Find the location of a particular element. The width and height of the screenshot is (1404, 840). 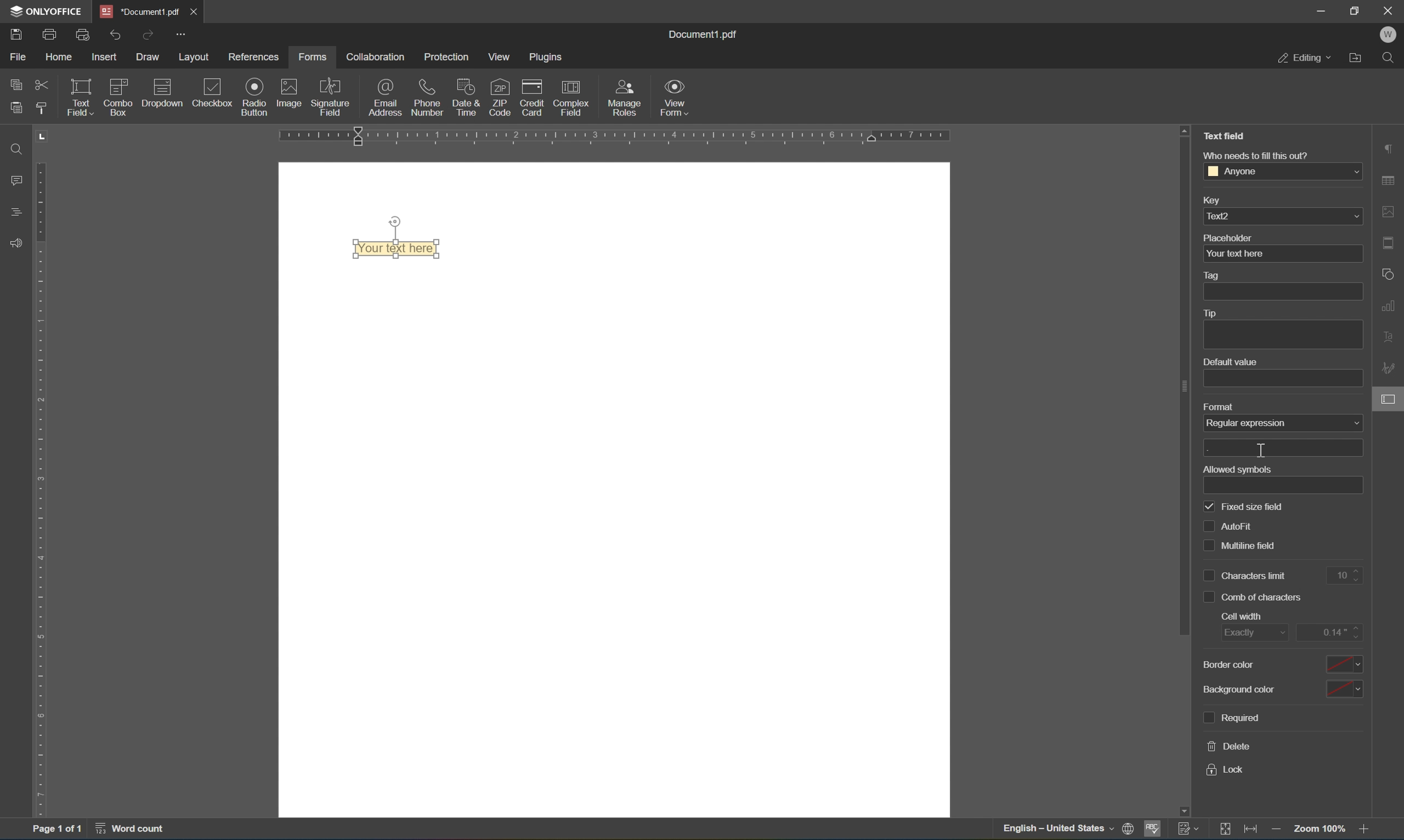

cut is located at coordinates (42, 84).